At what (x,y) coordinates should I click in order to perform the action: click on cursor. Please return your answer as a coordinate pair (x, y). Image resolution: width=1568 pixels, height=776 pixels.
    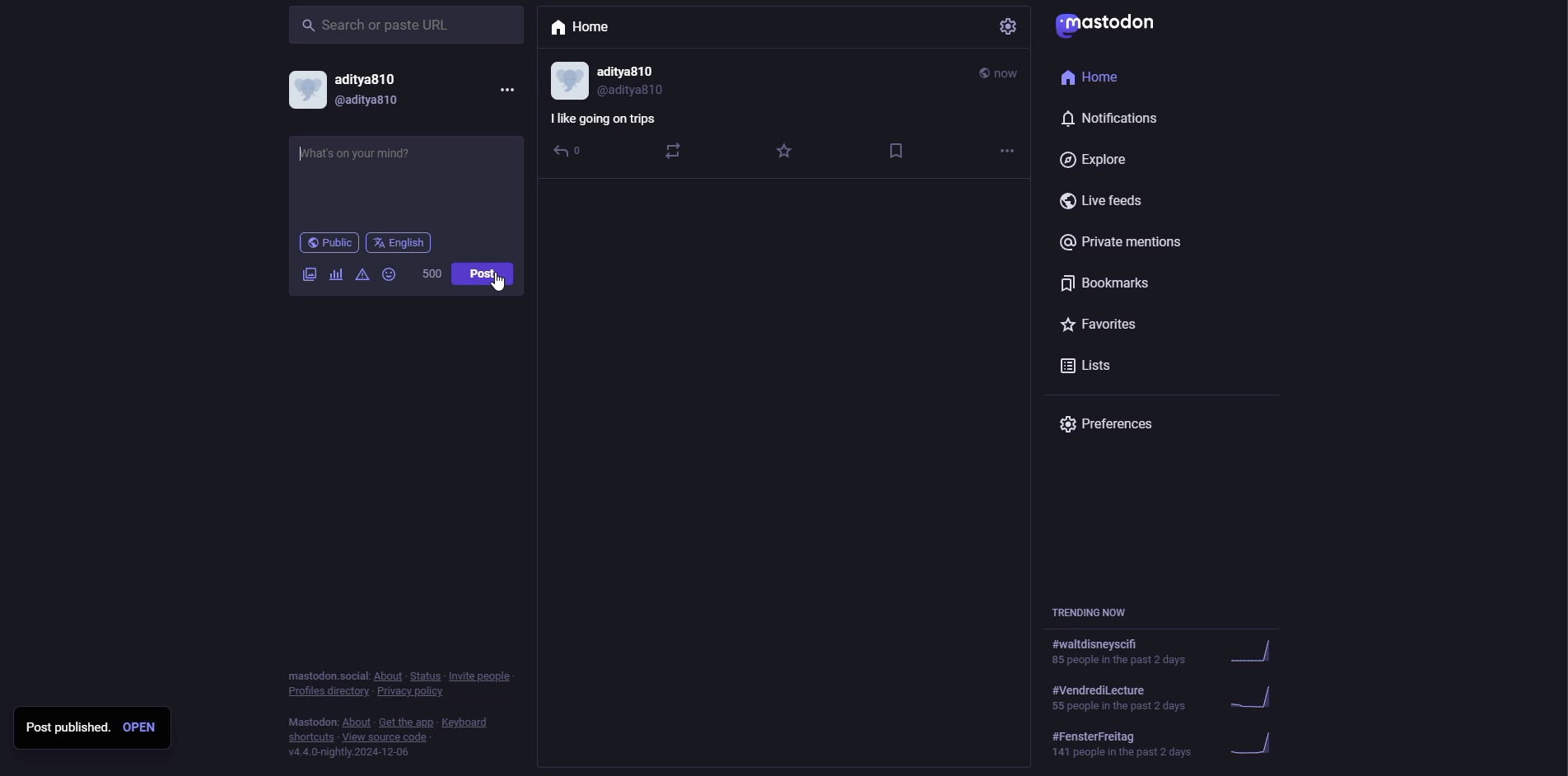
    Looking at the image, I should click on (498, 288).